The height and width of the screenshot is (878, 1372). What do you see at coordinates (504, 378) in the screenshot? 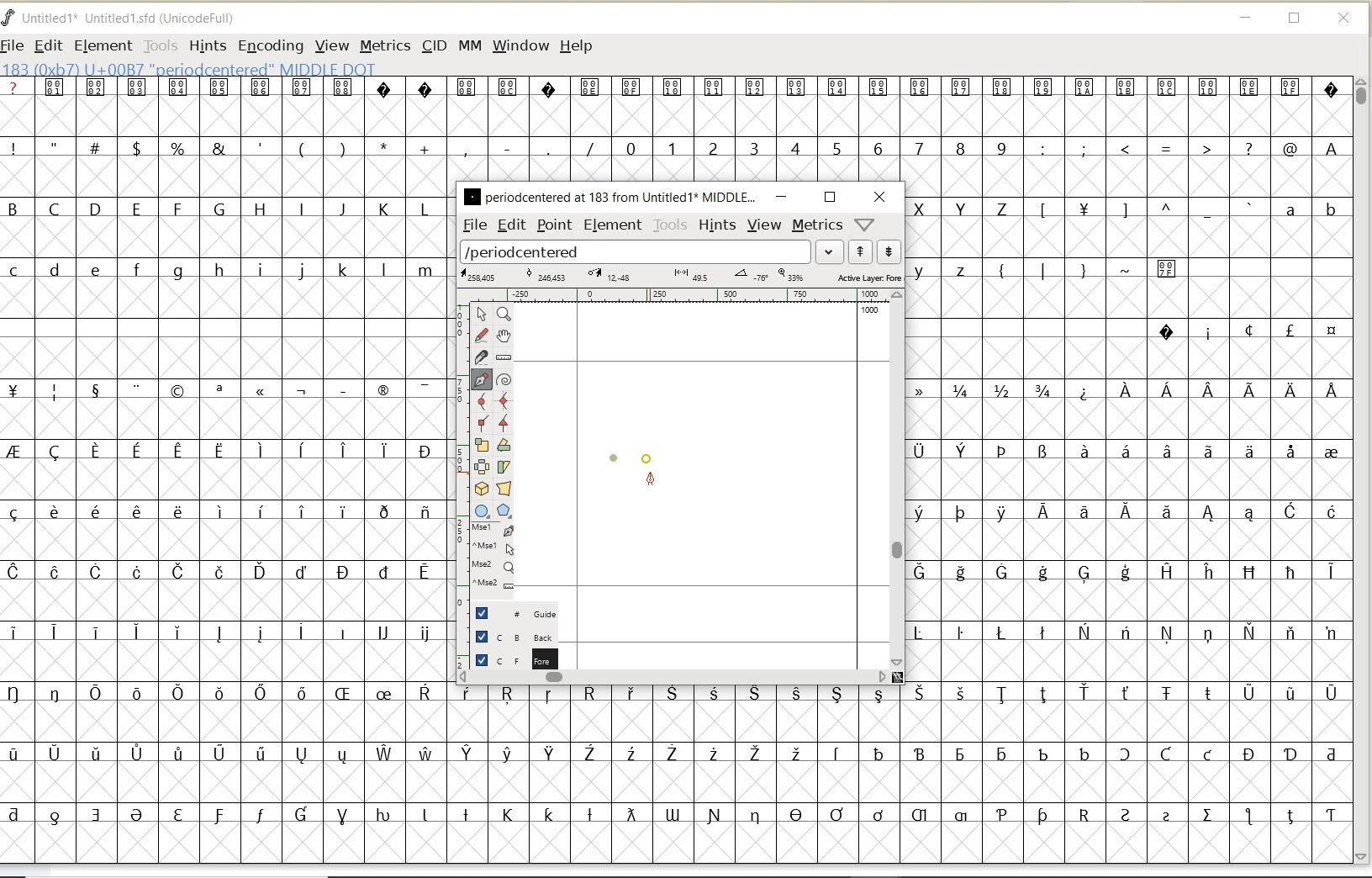
I see `change whether spiro is active or not` at bounding box center [504, 378].